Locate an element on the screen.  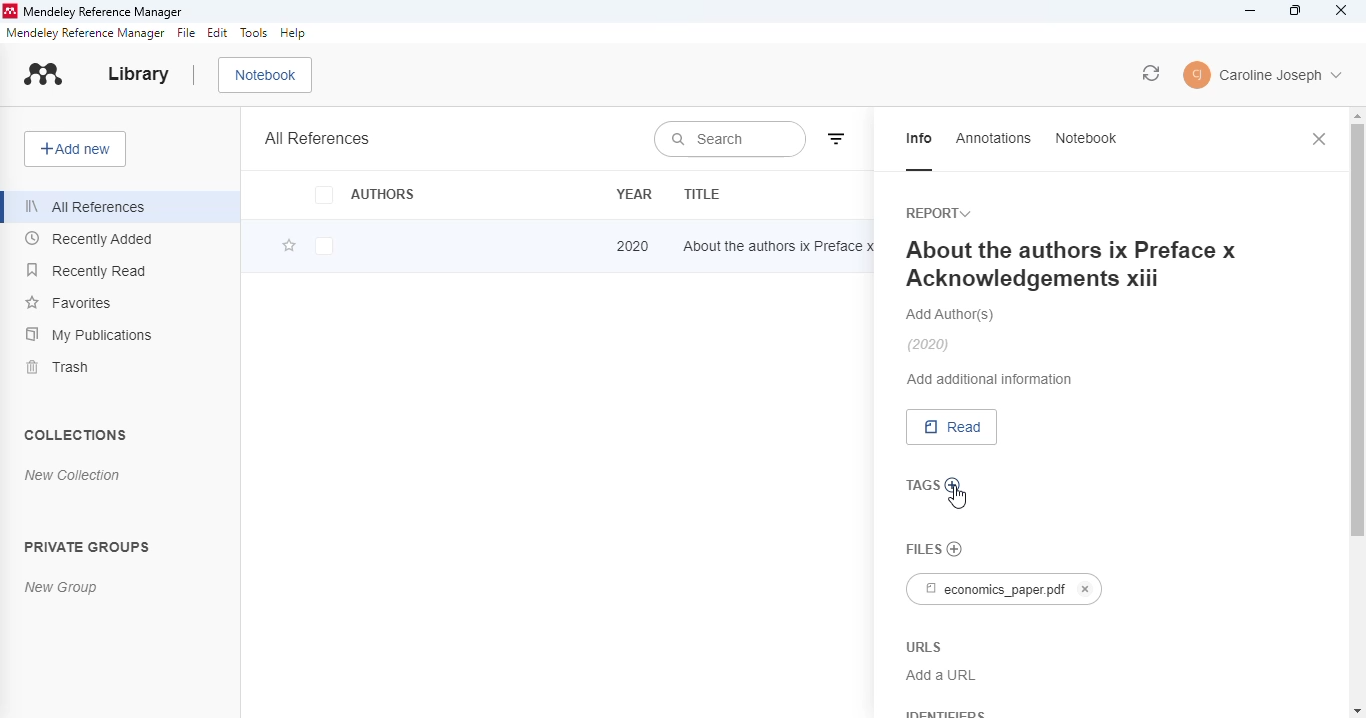
sync is located at coordinates (1152, 73).